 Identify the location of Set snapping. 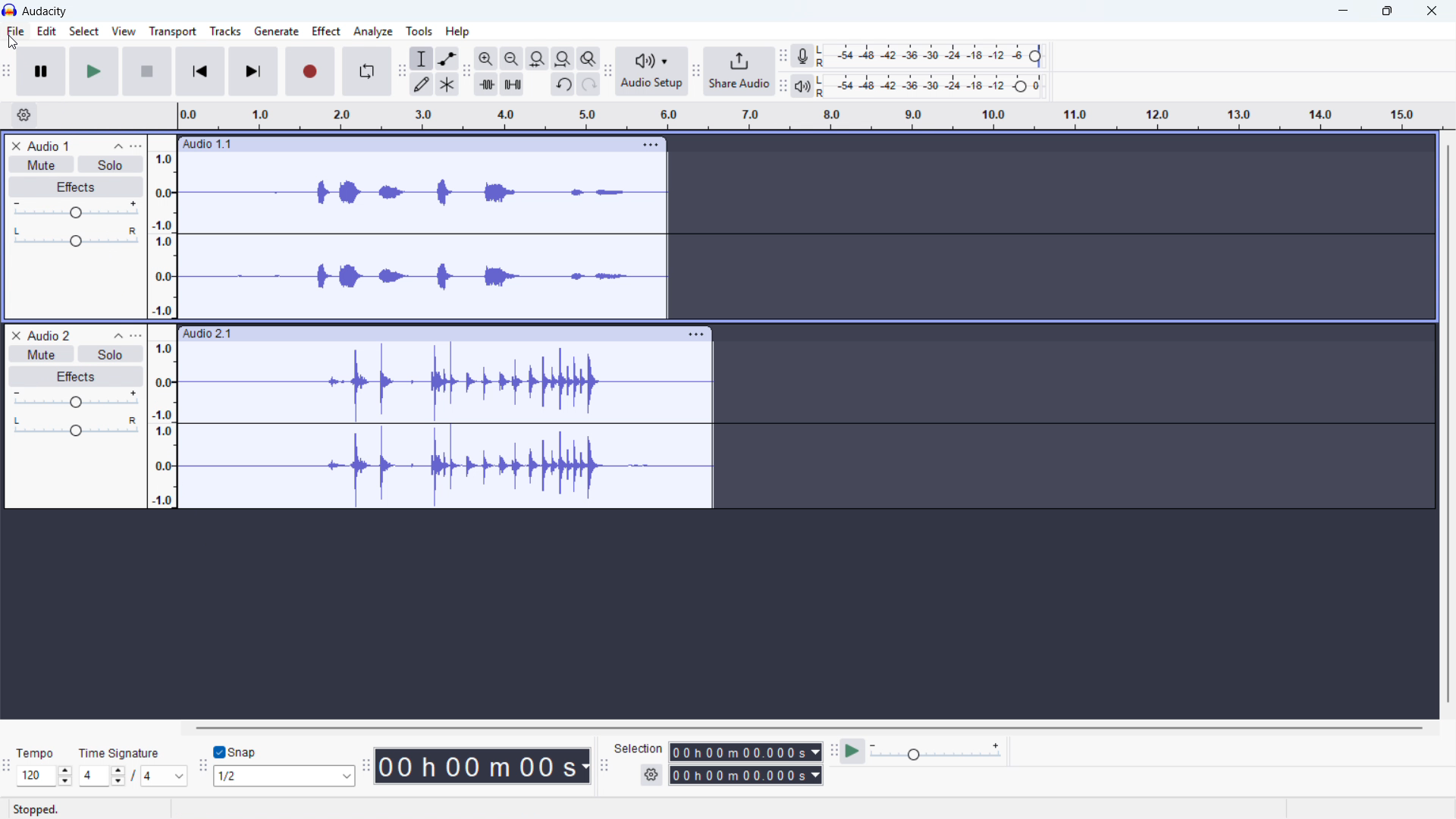
(285, 776).